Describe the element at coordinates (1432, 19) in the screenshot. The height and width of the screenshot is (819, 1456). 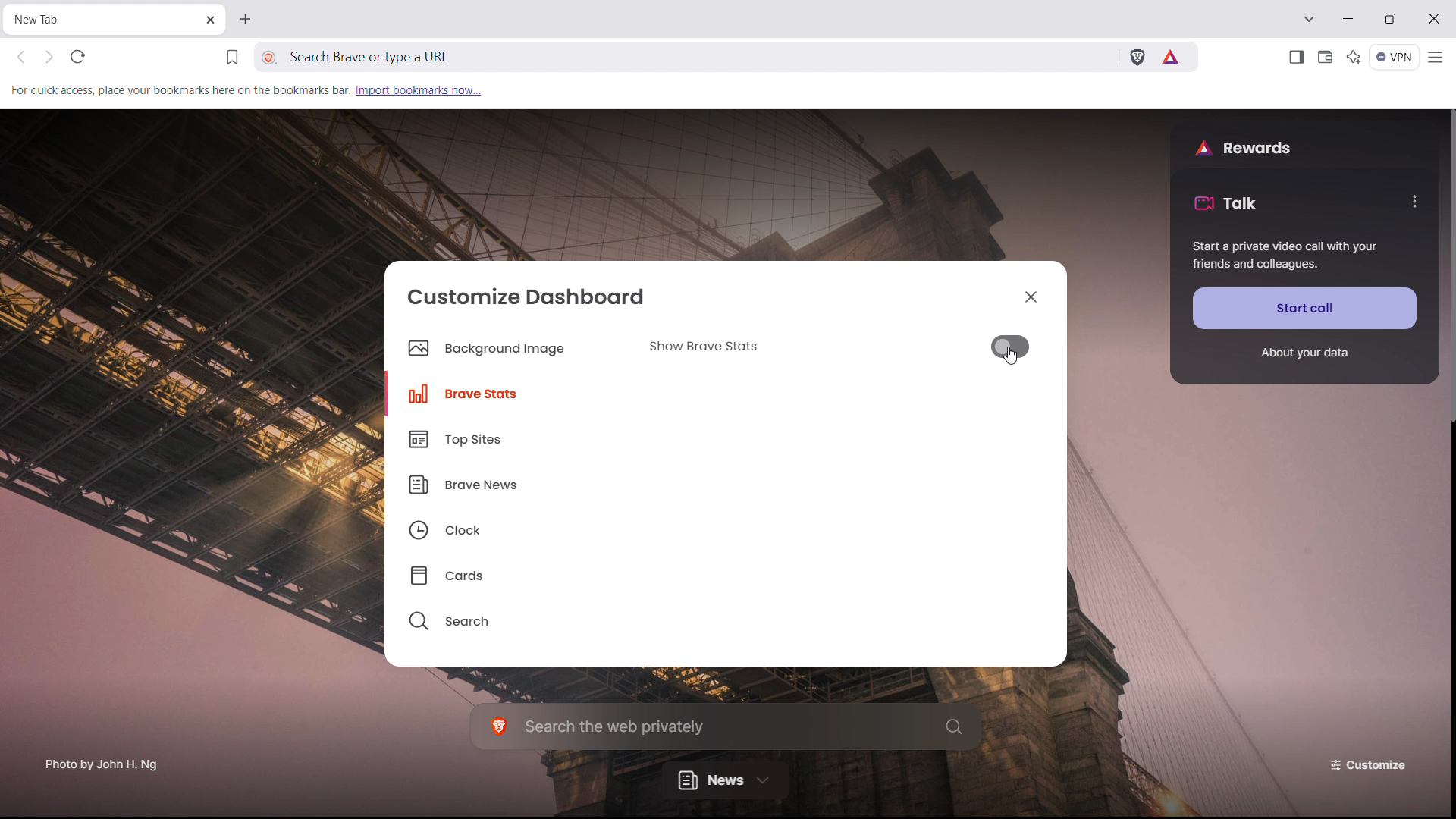
I see `close` at that location.